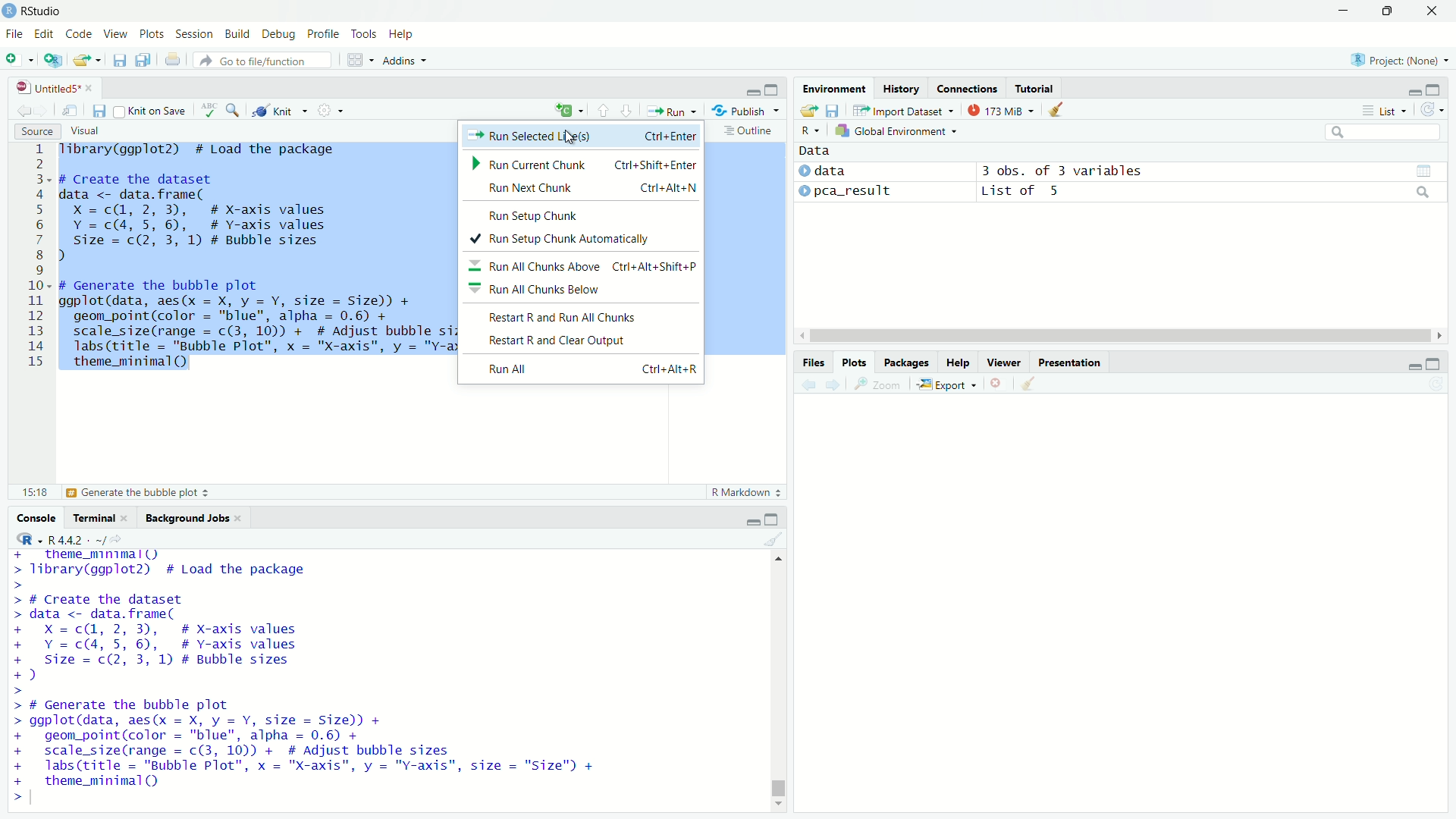  I want to click on R markdown, so click(747, 492).